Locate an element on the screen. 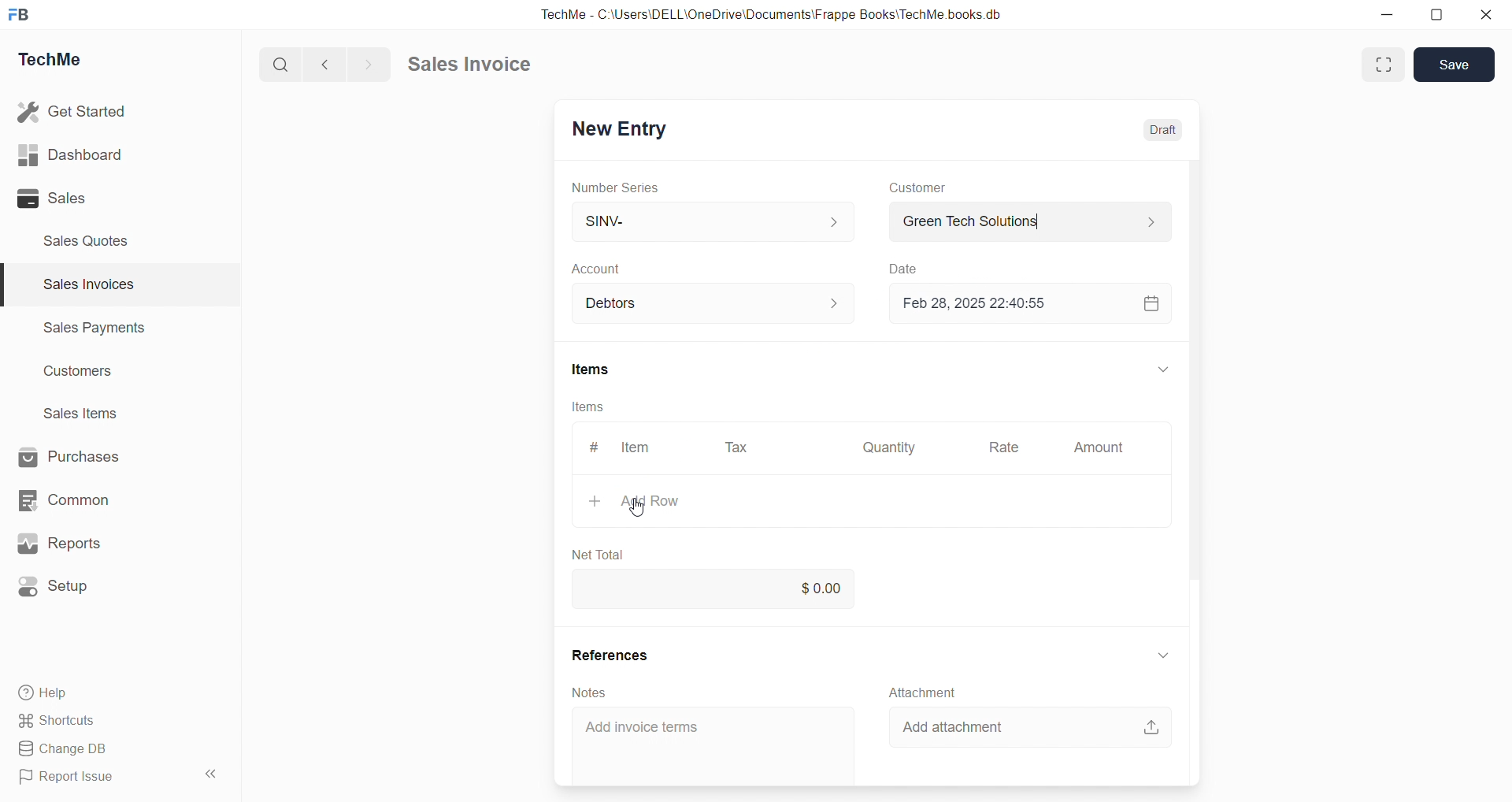  Save is located at coordinates (1455, 64).